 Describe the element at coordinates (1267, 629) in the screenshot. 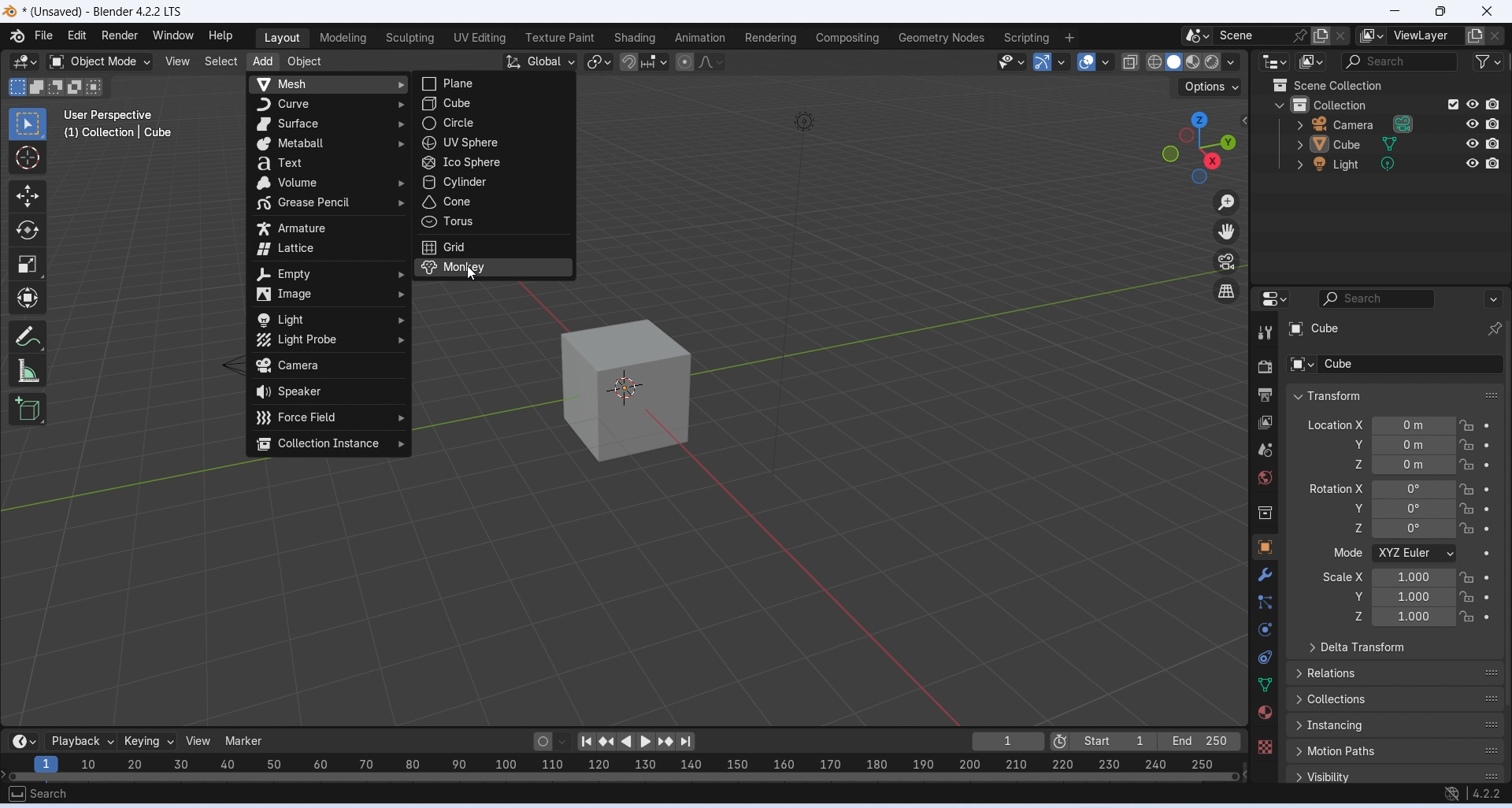

I see `physics` at that location.